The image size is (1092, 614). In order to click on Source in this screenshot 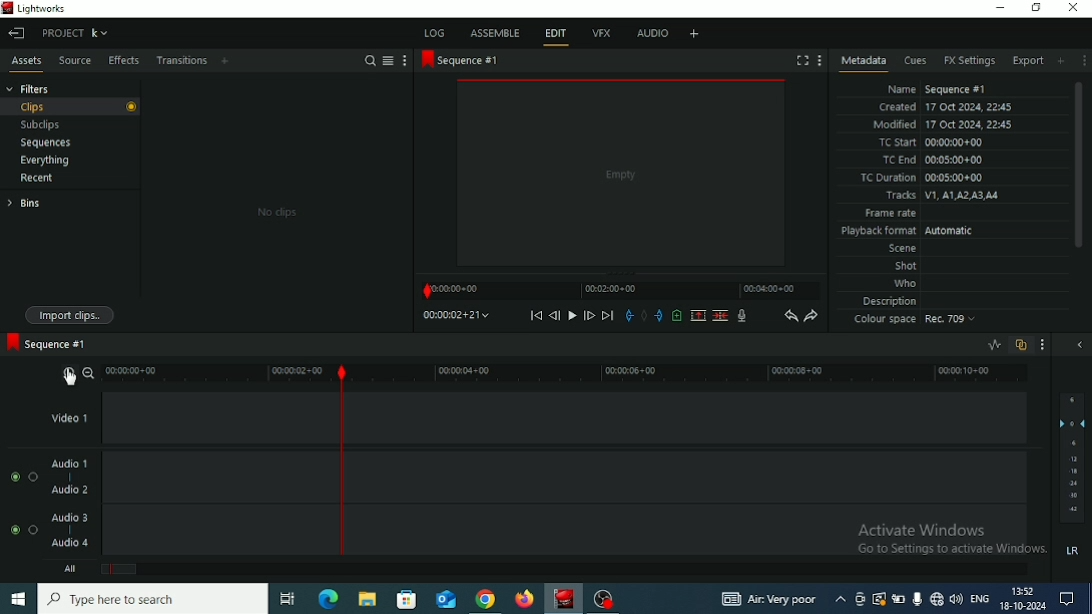, I will do `click(74, 60)`.